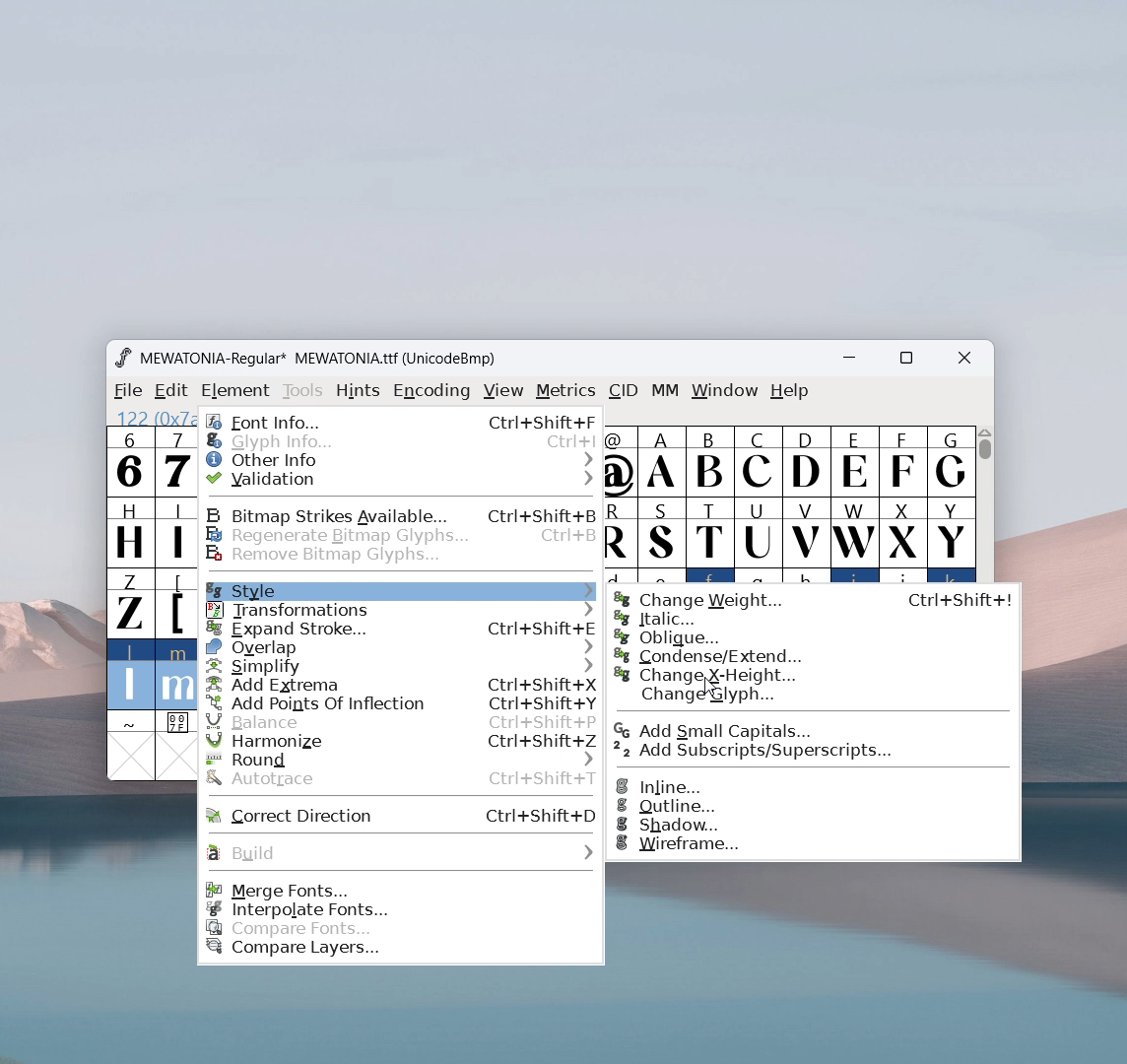 The height and width of the screenshot is (1064, 1127). What do you see at coordinates (130, 461) in the screenshot?
I see `6` at bounding box center [130, 461].